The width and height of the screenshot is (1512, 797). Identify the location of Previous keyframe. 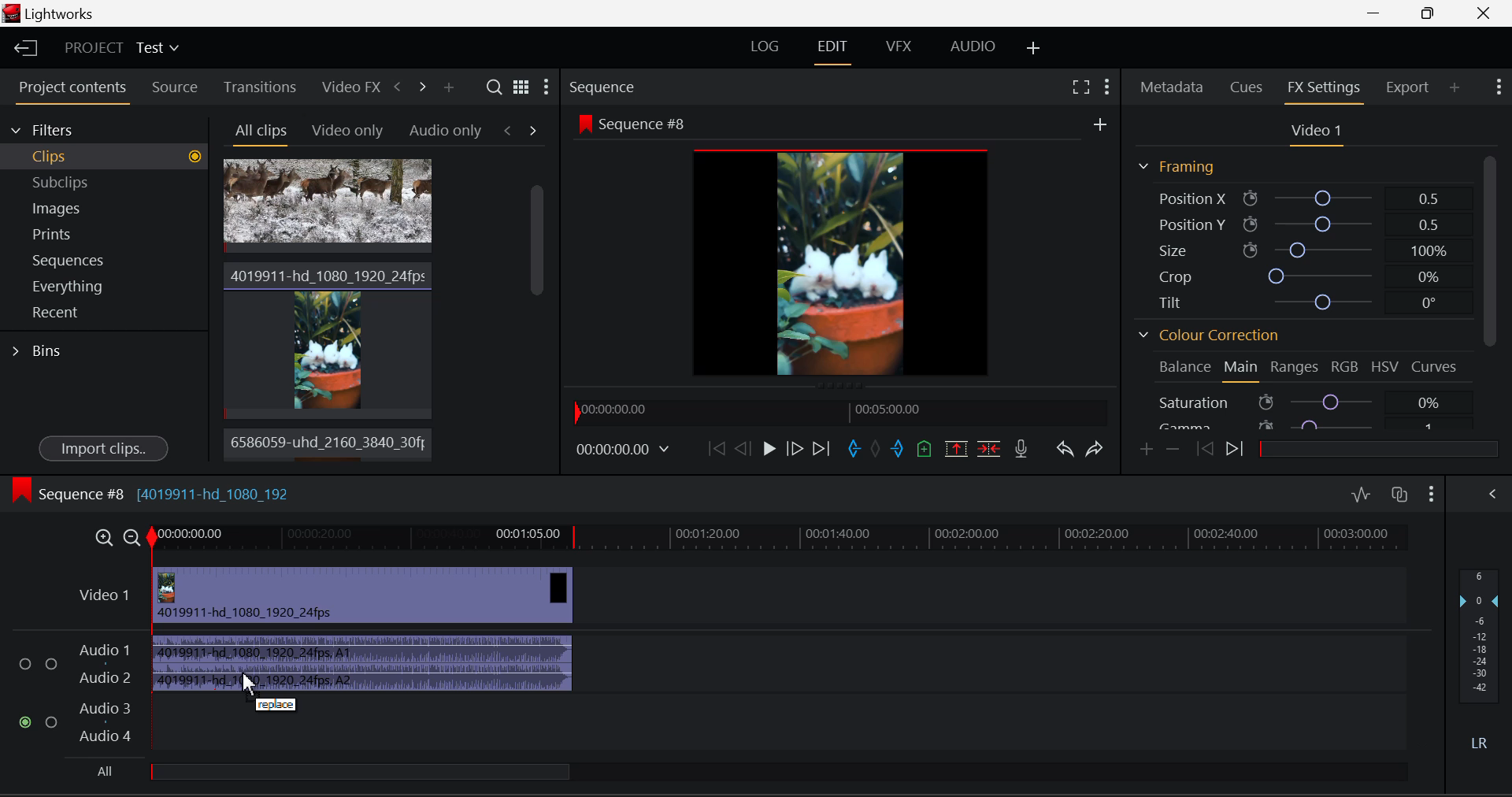
(1203, 449).